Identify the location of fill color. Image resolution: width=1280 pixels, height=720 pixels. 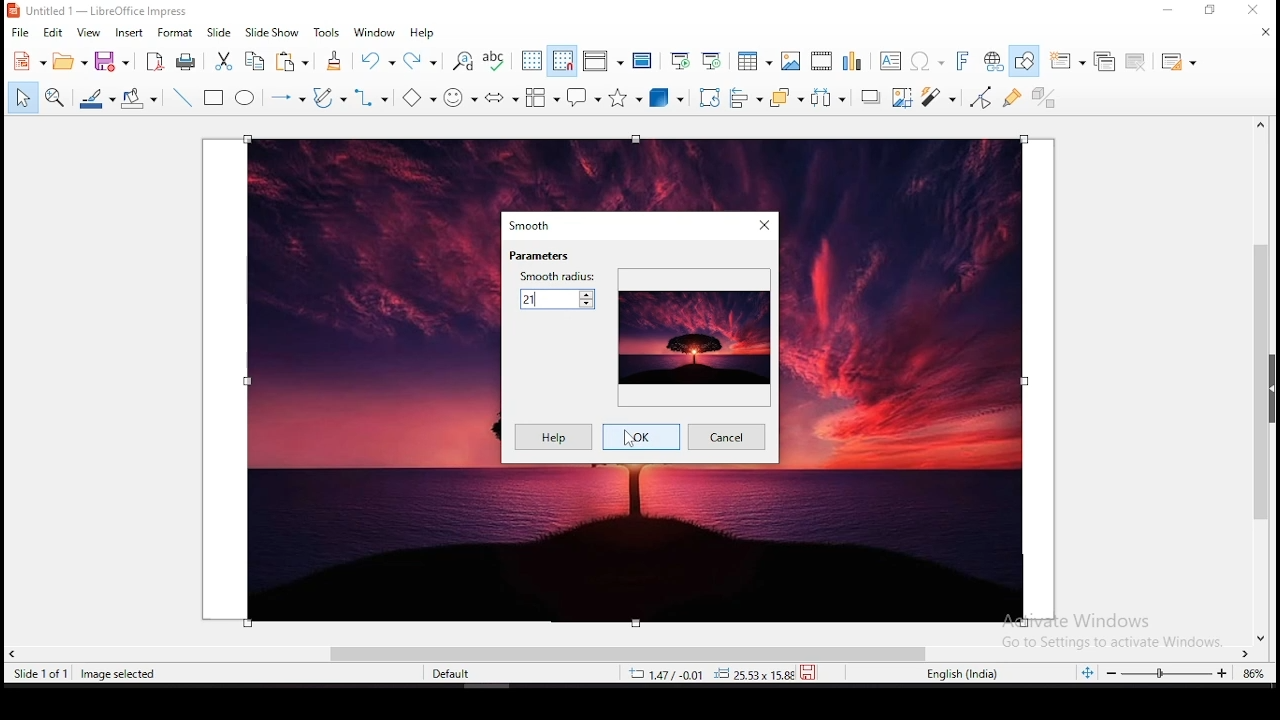
(139, 97).